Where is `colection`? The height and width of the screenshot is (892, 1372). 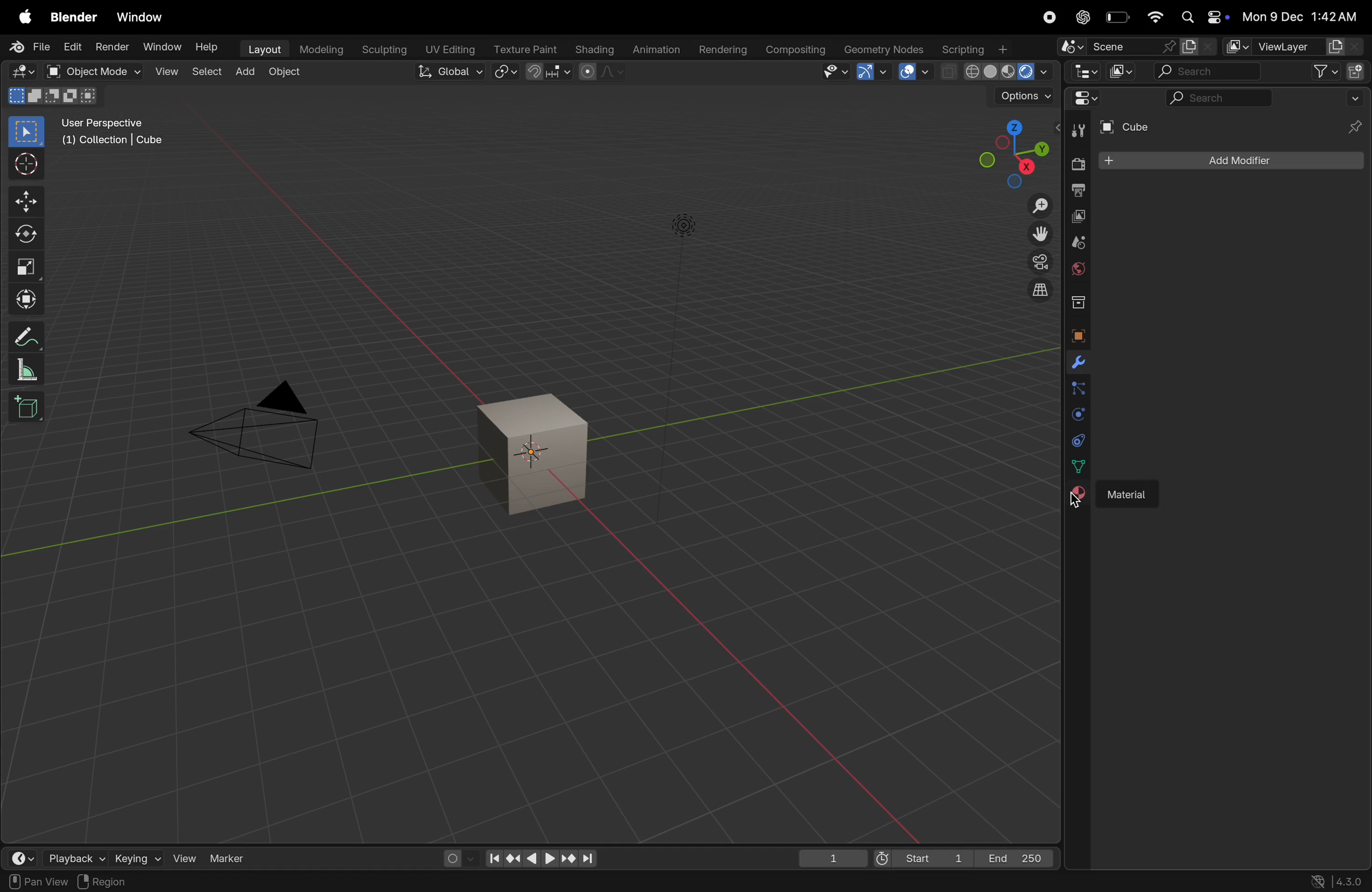
colection is located at coordinates (1076, 298).